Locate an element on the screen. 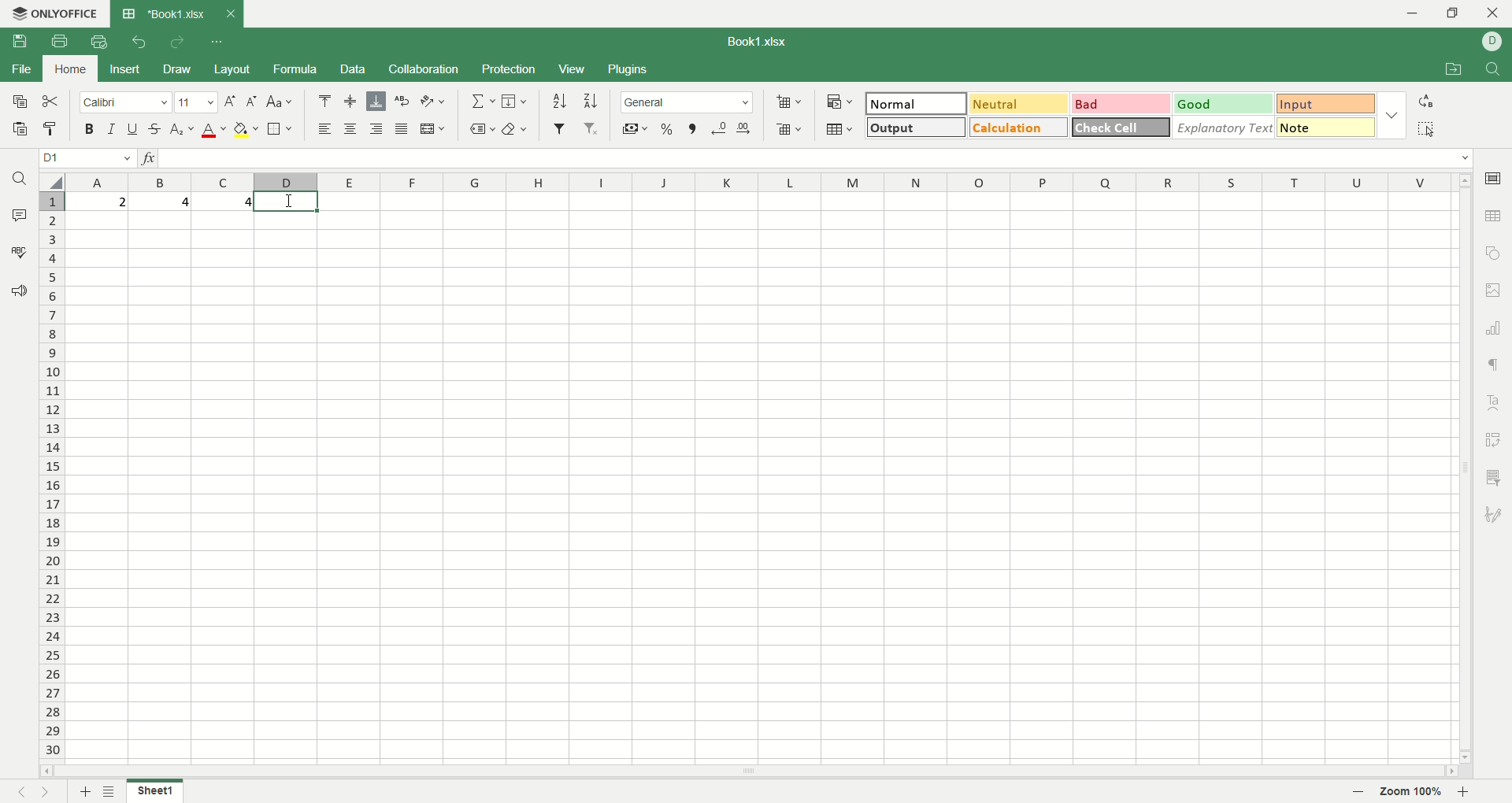 The width and height of the screenshot is (1512, 803). sort descending is located at coordinates (590, 100).